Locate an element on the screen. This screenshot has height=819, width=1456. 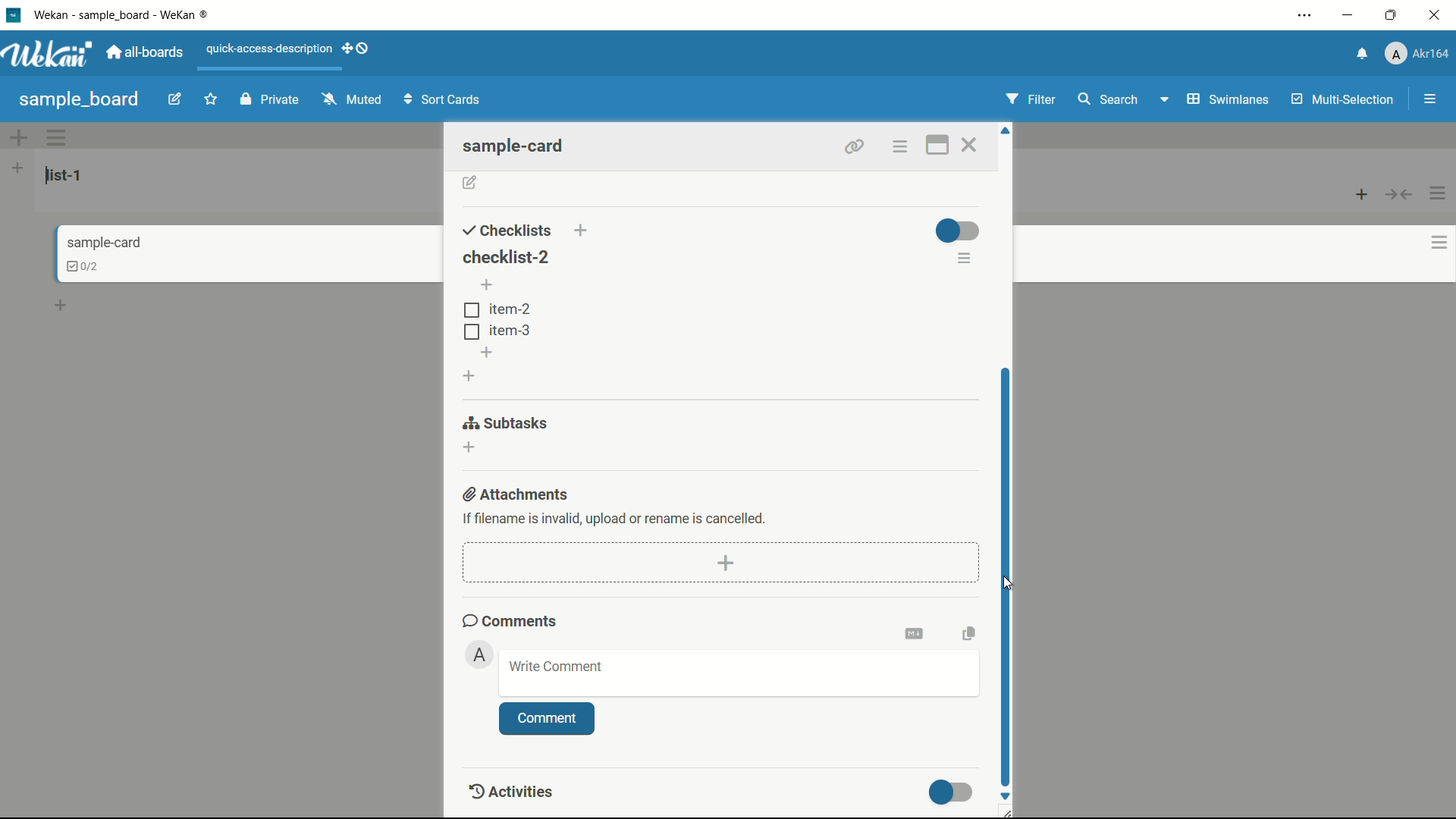
card actions is located at coordinates (1428, 243).